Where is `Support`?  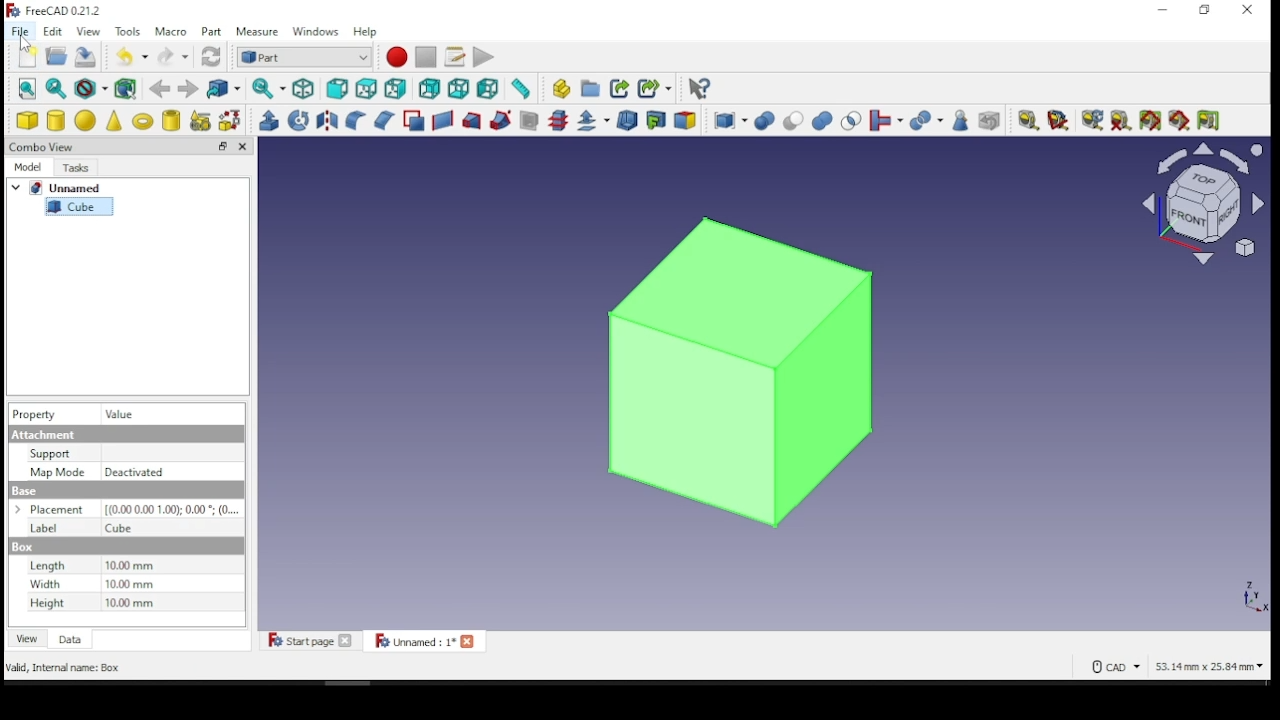
Support is located at coordinates (49, 454).